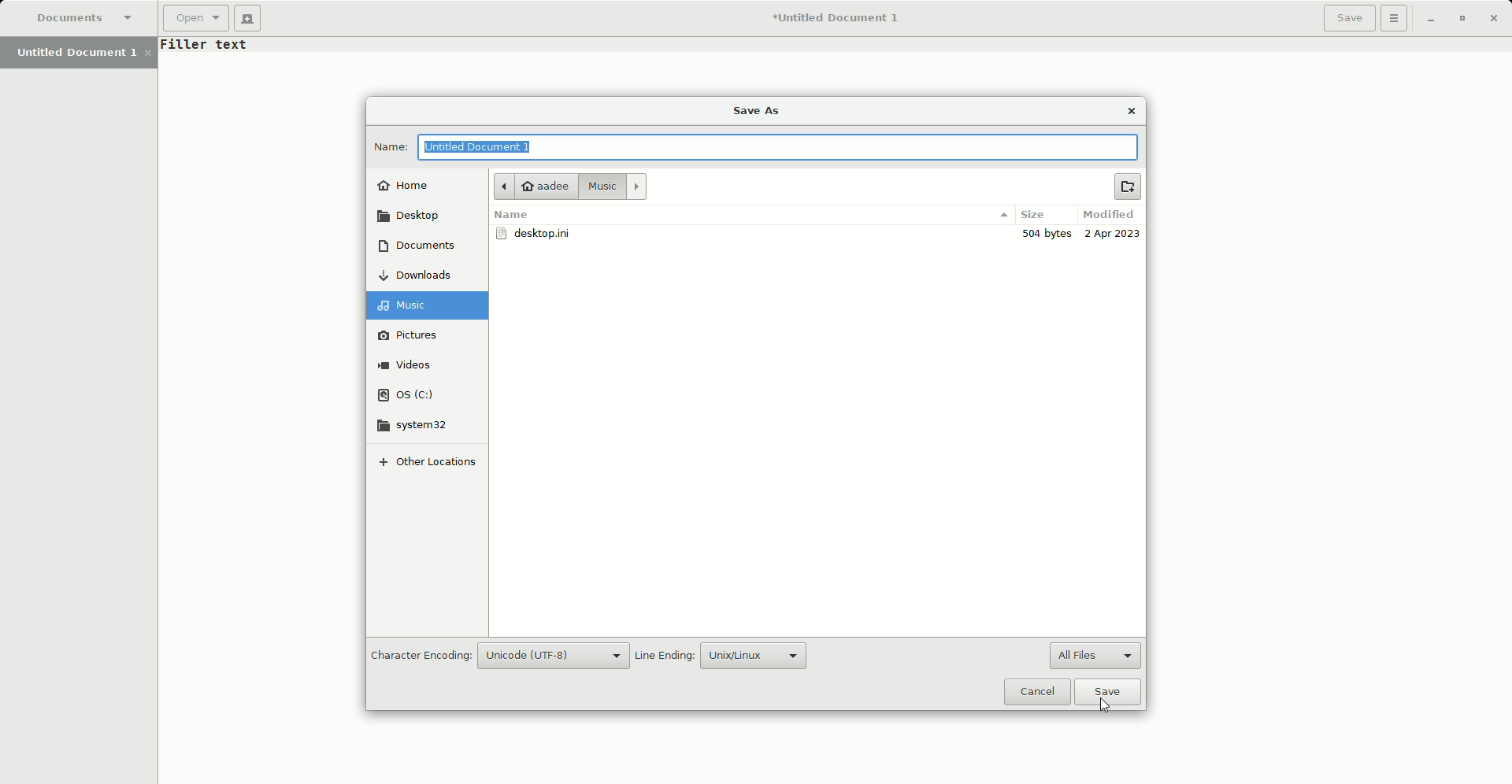 The height and width of the screenshot is (784, 1512). What do you see at coordinates (725, 656) in the screenshot?
I see `Line Ending` at bounding box center [725, 656].